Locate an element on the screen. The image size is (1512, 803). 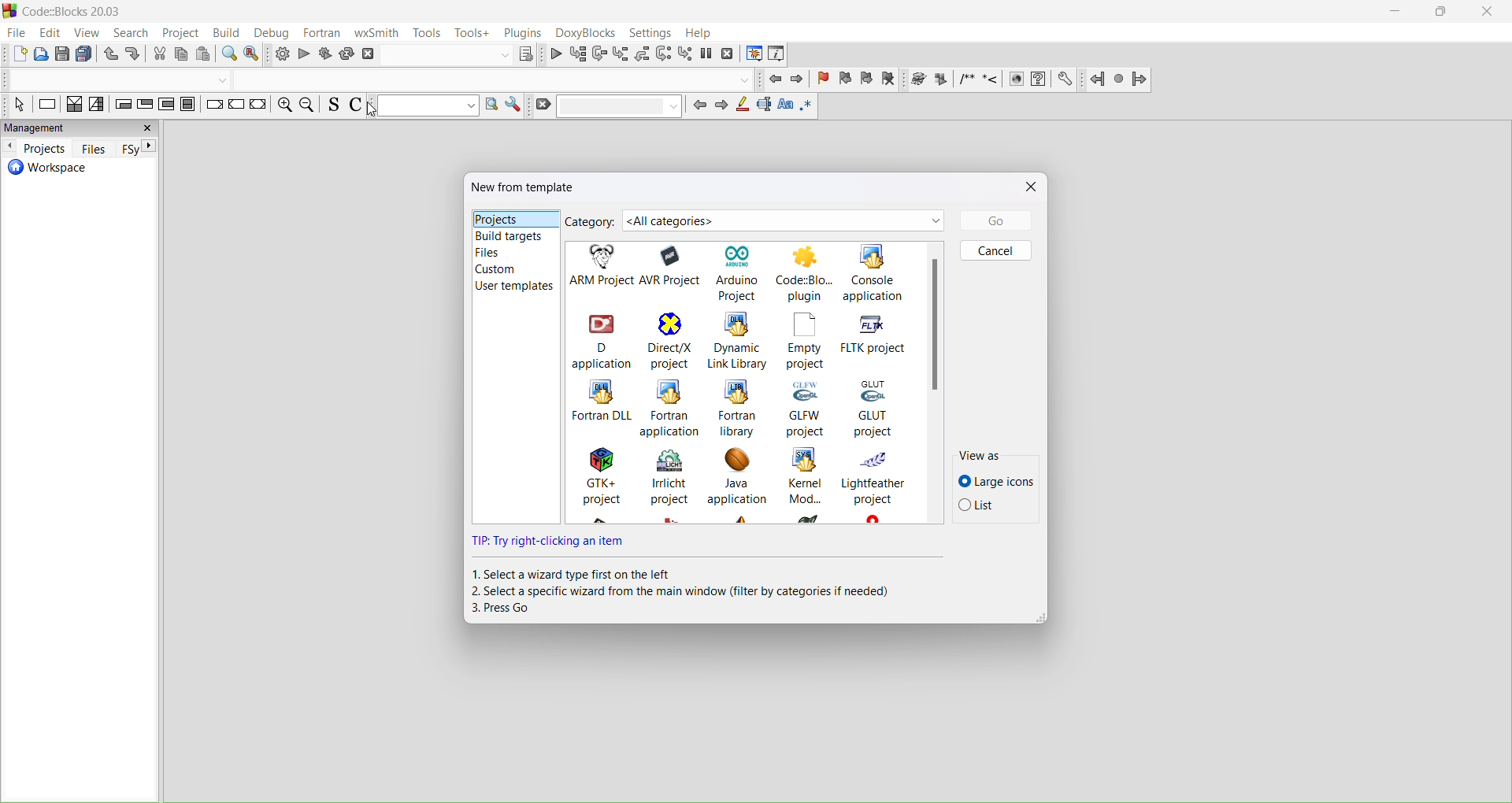
next line is located at coordinates (598, 53).